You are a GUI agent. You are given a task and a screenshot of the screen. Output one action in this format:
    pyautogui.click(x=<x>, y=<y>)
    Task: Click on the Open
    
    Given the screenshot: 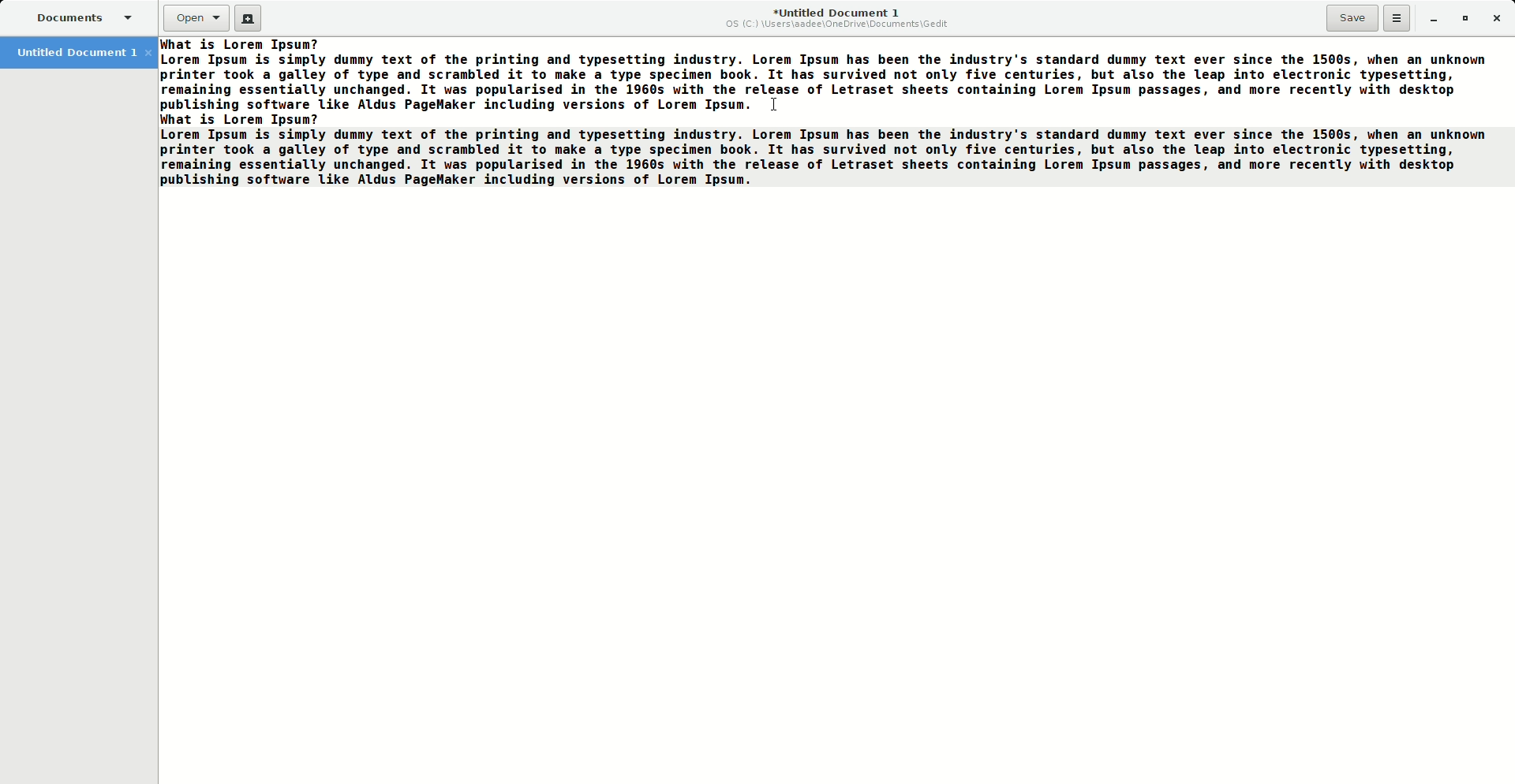 What is the action you would take?
    pyautogui.click(x=196, y=18)
    